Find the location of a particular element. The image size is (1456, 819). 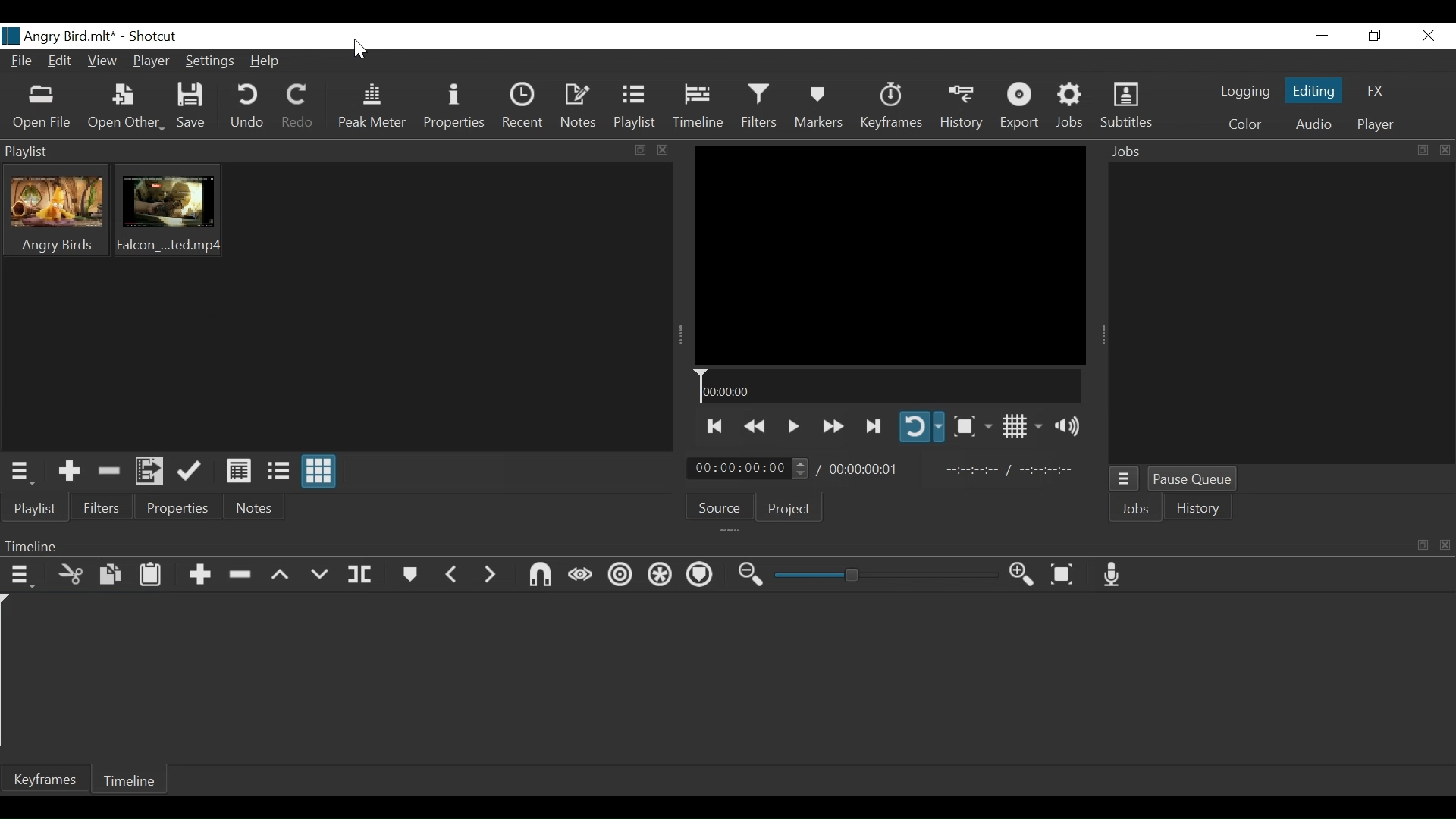

Minimize is located at coordinates (1323, 35).